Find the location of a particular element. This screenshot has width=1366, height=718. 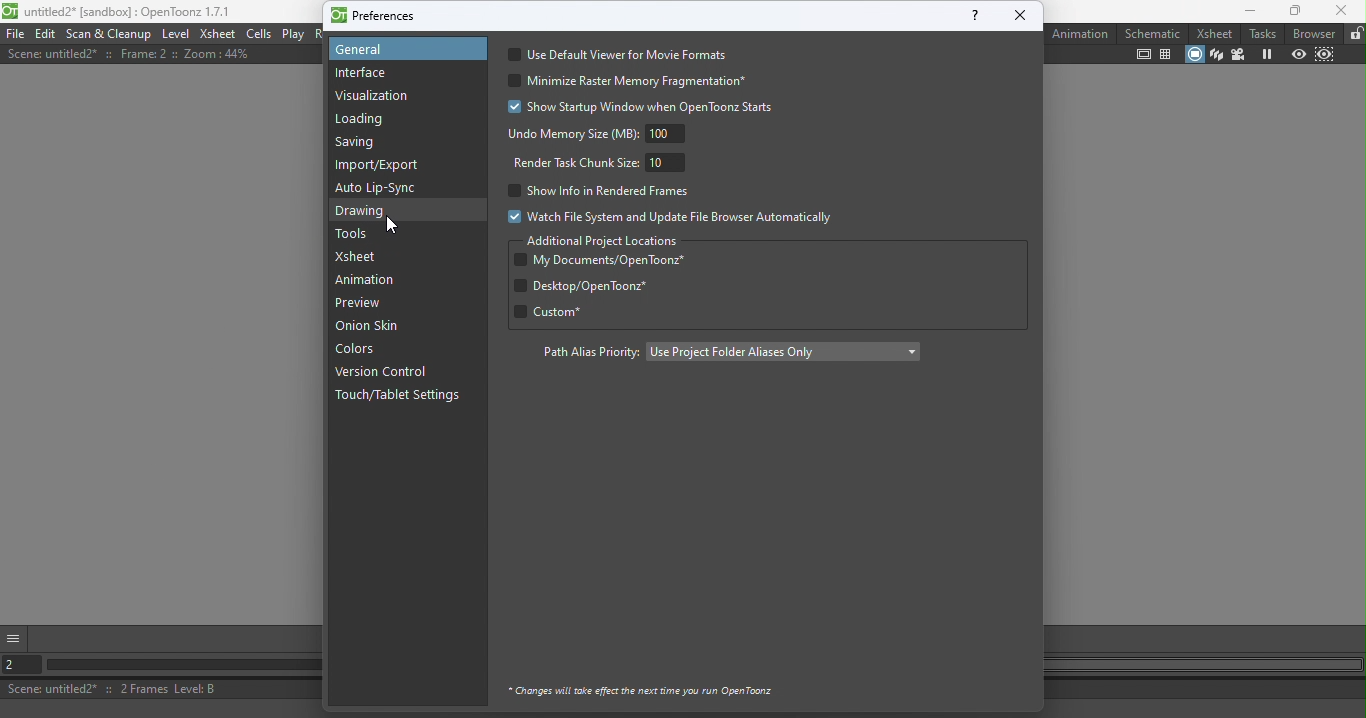

Scene: untitled2* :: Frame: 2 i: Zoom: 44% is located at coordinates (129, 54).